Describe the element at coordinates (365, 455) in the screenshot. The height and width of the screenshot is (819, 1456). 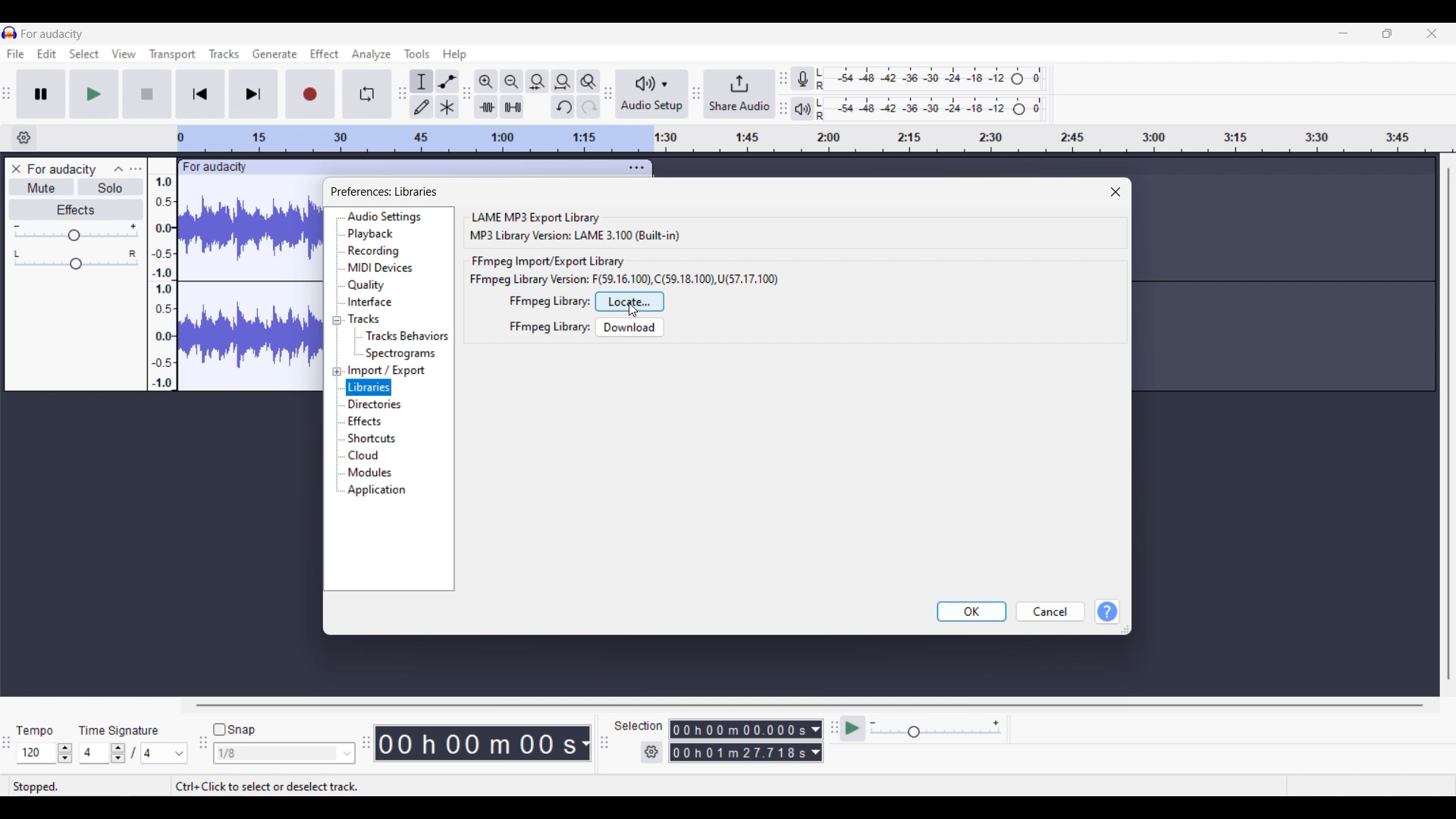
I see `Cloud ` at that location.